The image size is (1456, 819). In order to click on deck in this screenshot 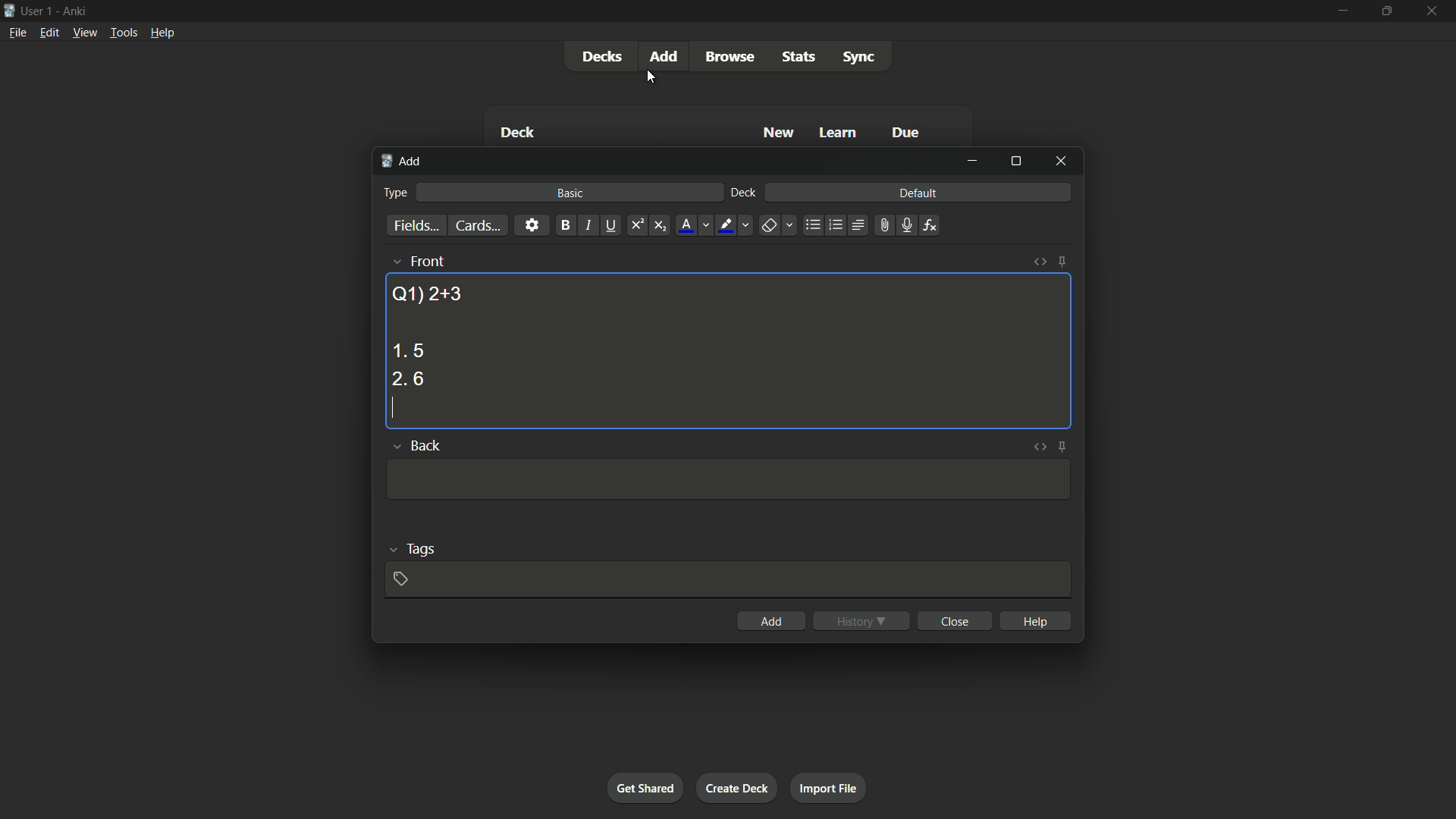, I will do `click(744, 193)`.